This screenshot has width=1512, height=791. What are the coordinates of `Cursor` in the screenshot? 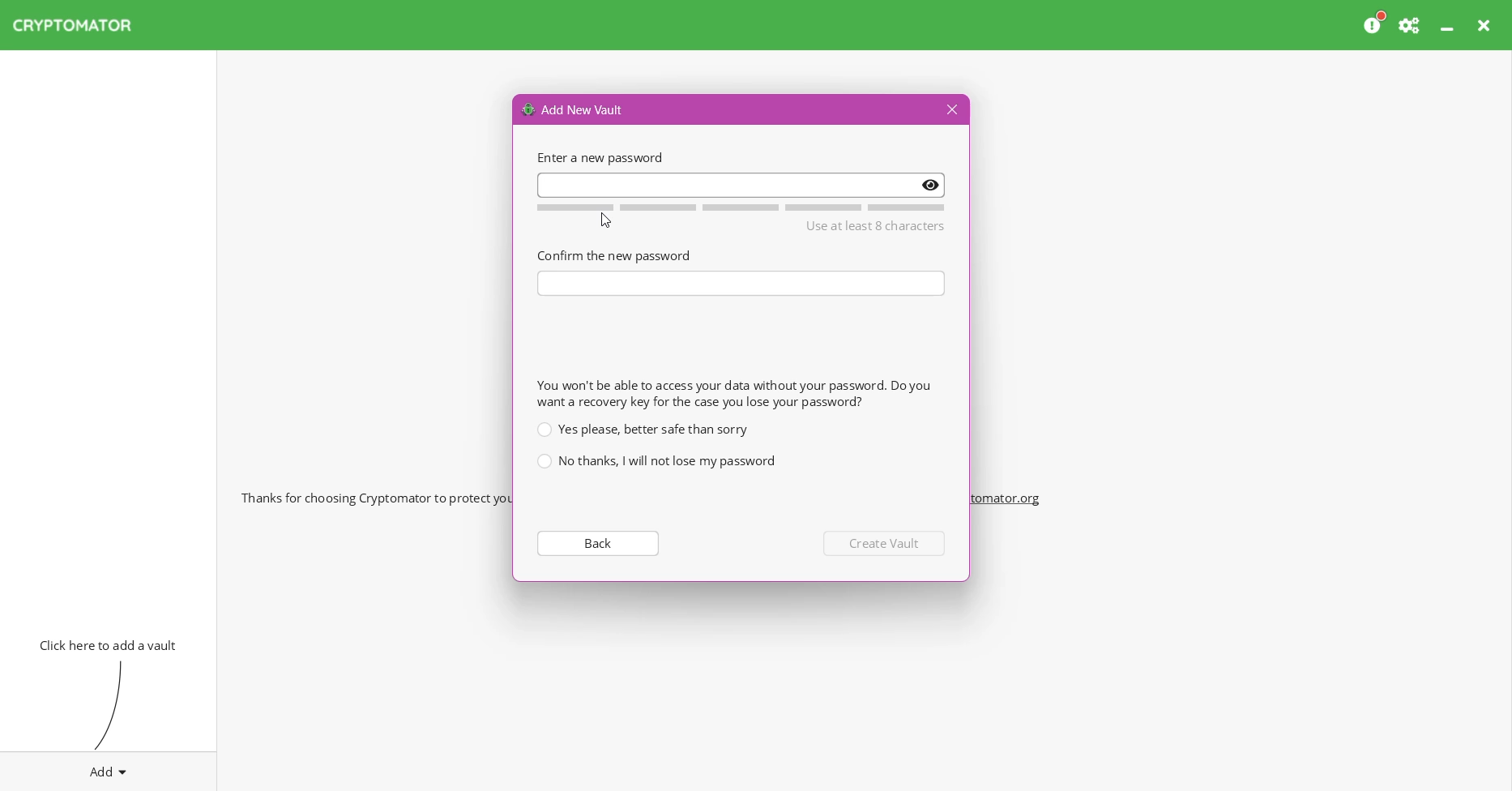 It's located at (606, 220).